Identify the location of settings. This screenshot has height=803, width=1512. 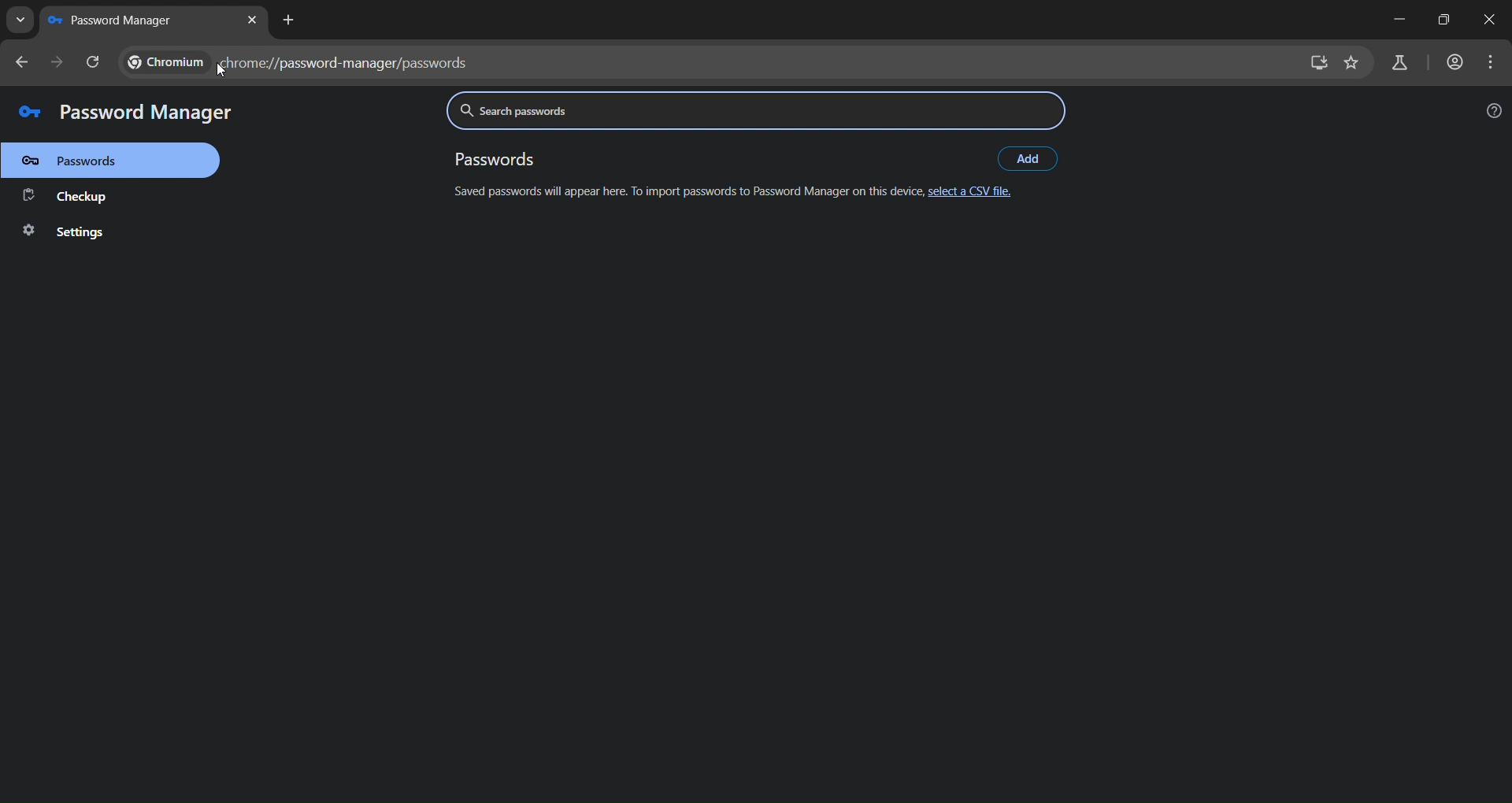
(80, 232).